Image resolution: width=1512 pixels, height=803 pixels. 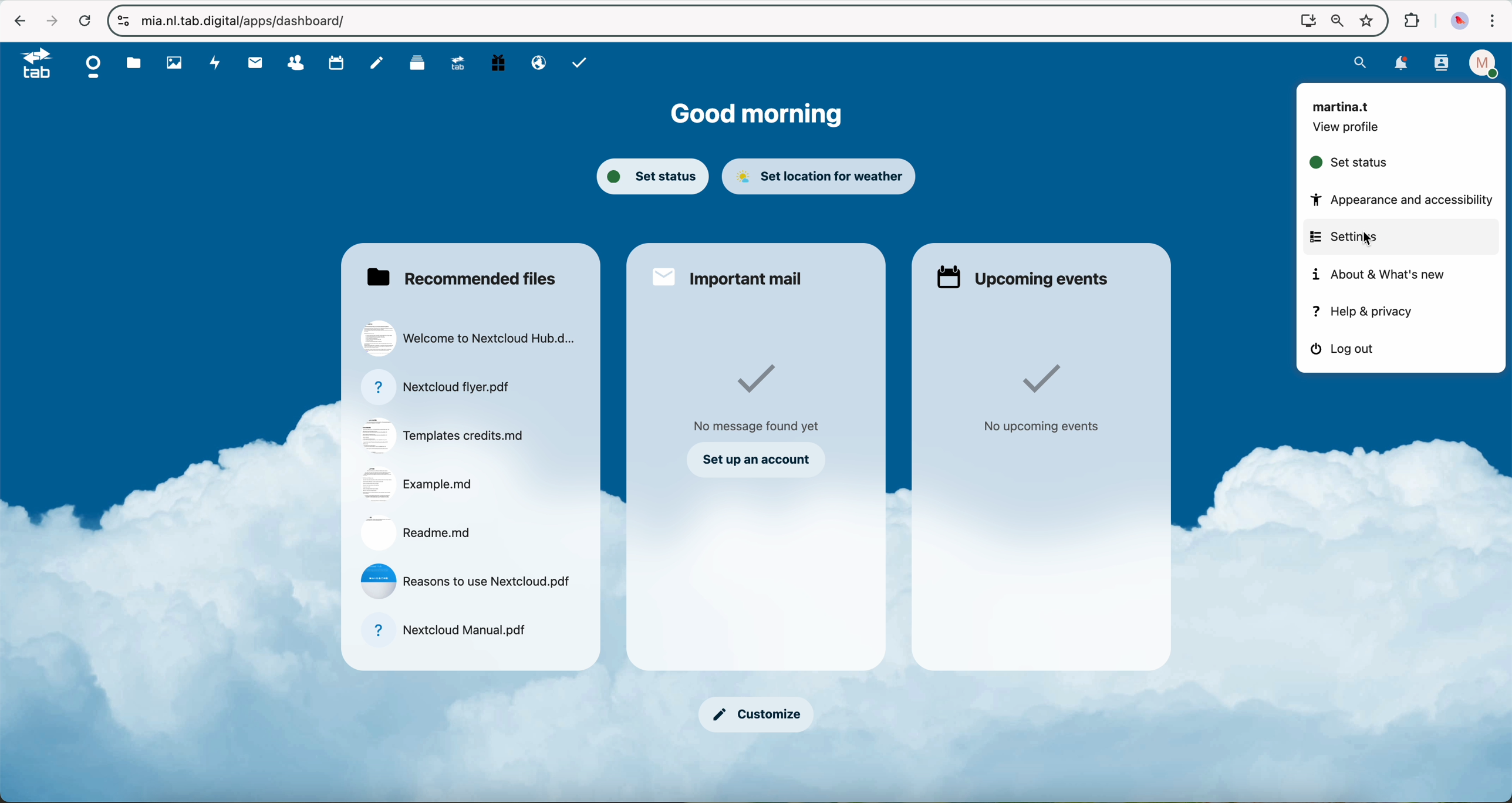 What do you see at coordinates (17, 20) in the screenshot?
I see `navigate back` at bounding box center [17, 20].